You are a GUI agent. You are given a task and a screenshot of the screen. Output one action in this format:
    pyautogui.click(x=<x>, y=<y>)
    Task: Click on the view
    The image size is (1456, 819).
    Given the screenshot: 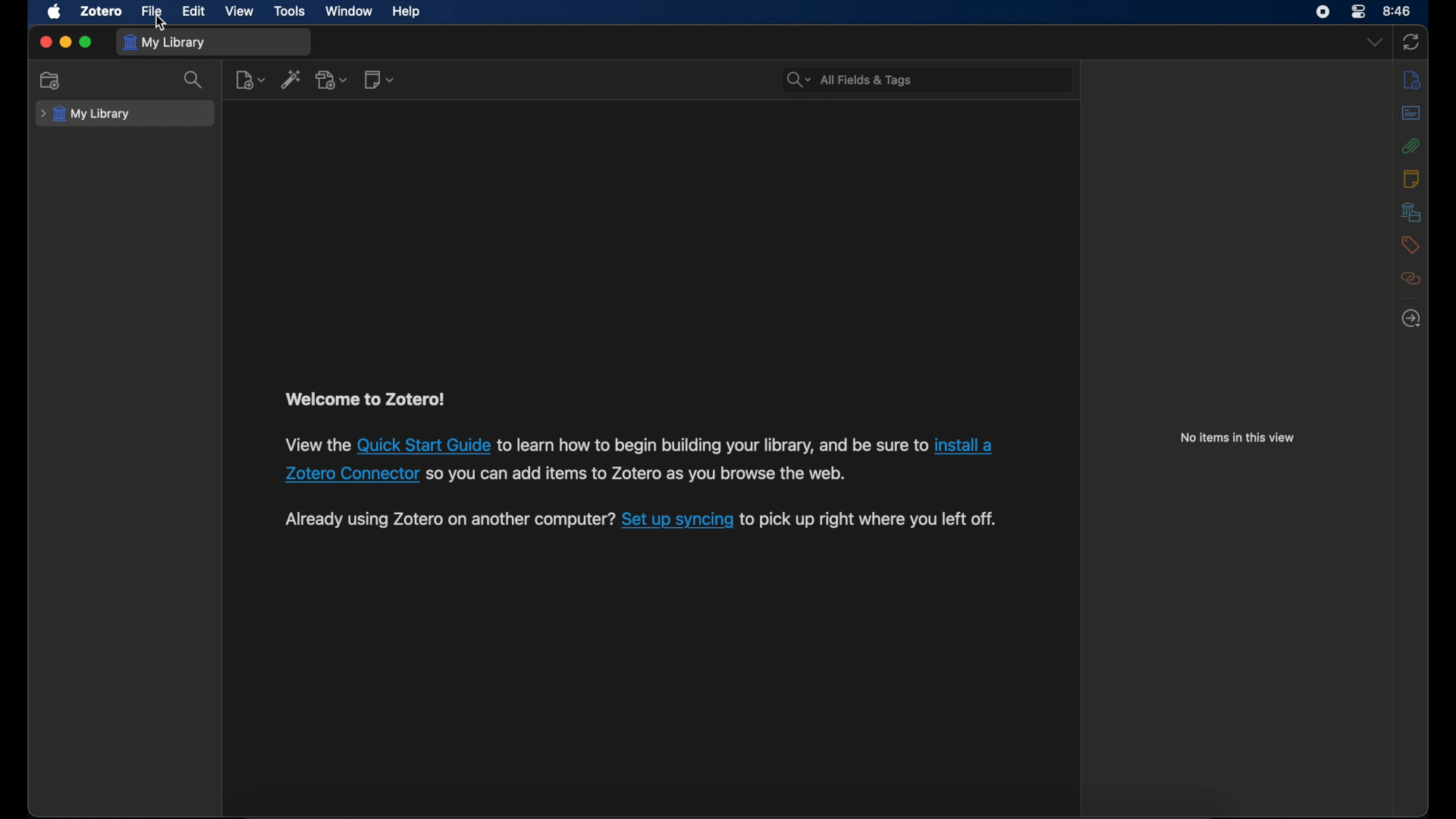 What is the action you would take?
    pyautogui.click(x=240, y=11)
    